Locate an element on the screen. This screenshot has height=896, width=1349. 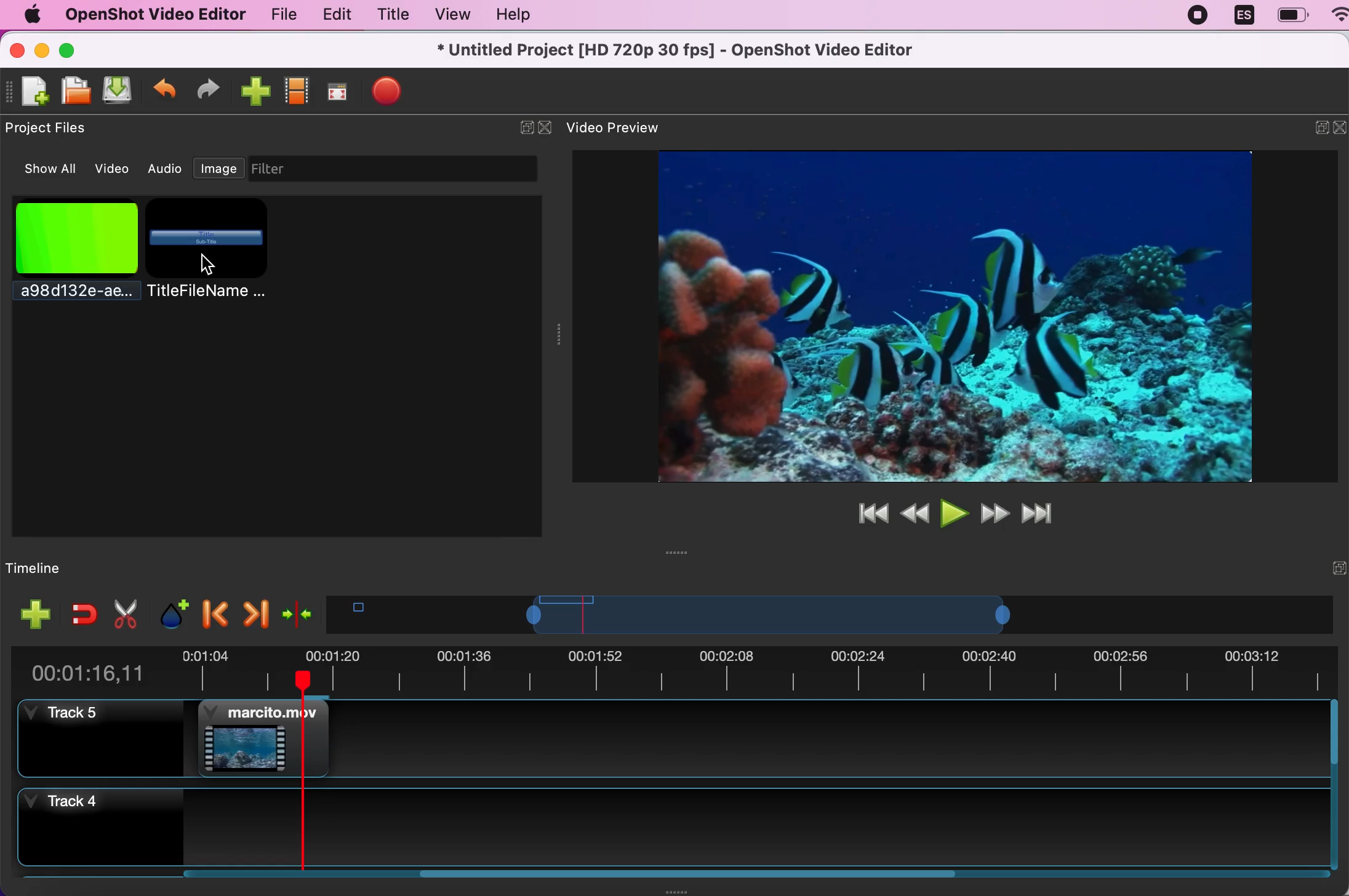
video preview is located at coordinates (939, 314).